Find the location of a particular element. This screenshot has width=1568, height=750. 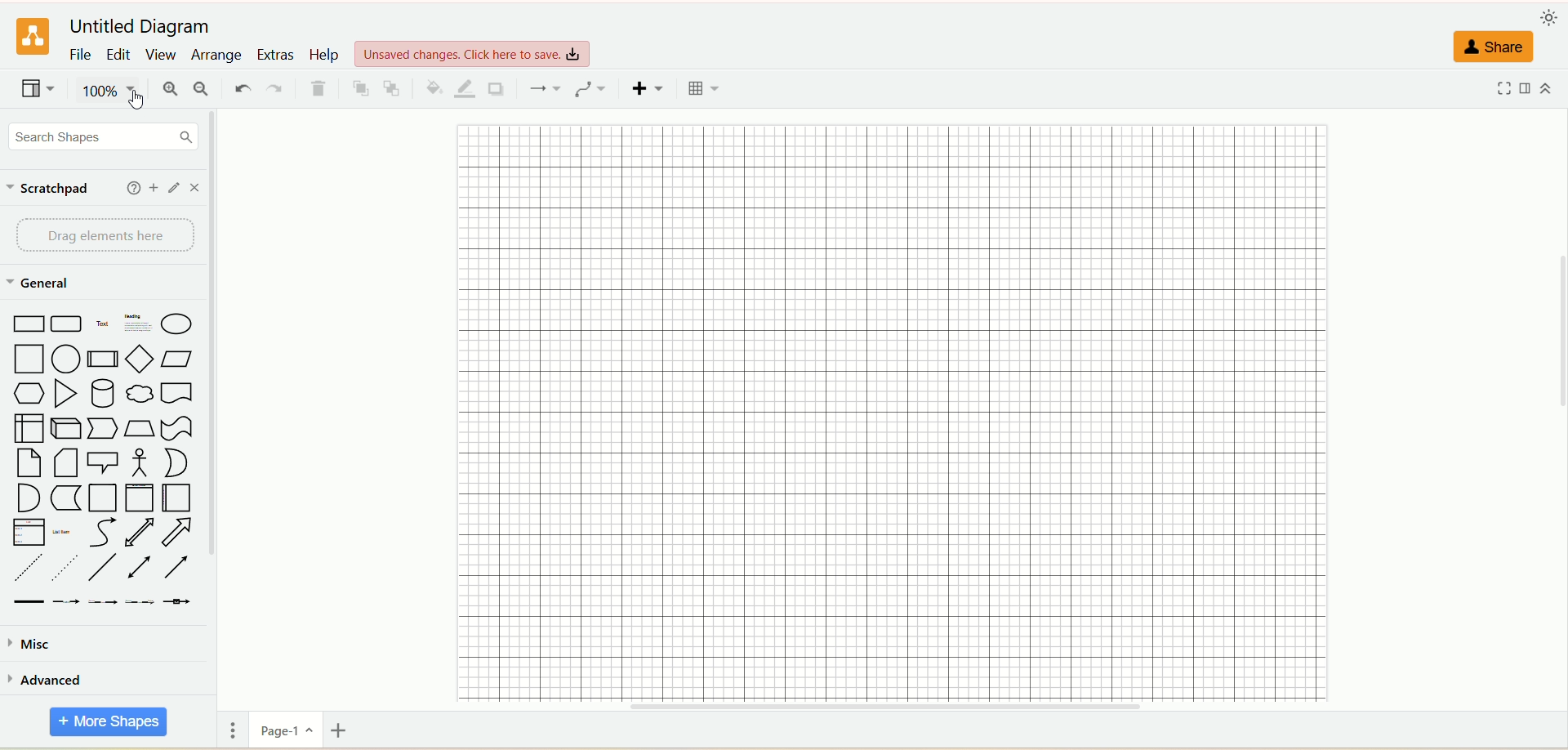

horizontal container is located at coordinates (176, 498).